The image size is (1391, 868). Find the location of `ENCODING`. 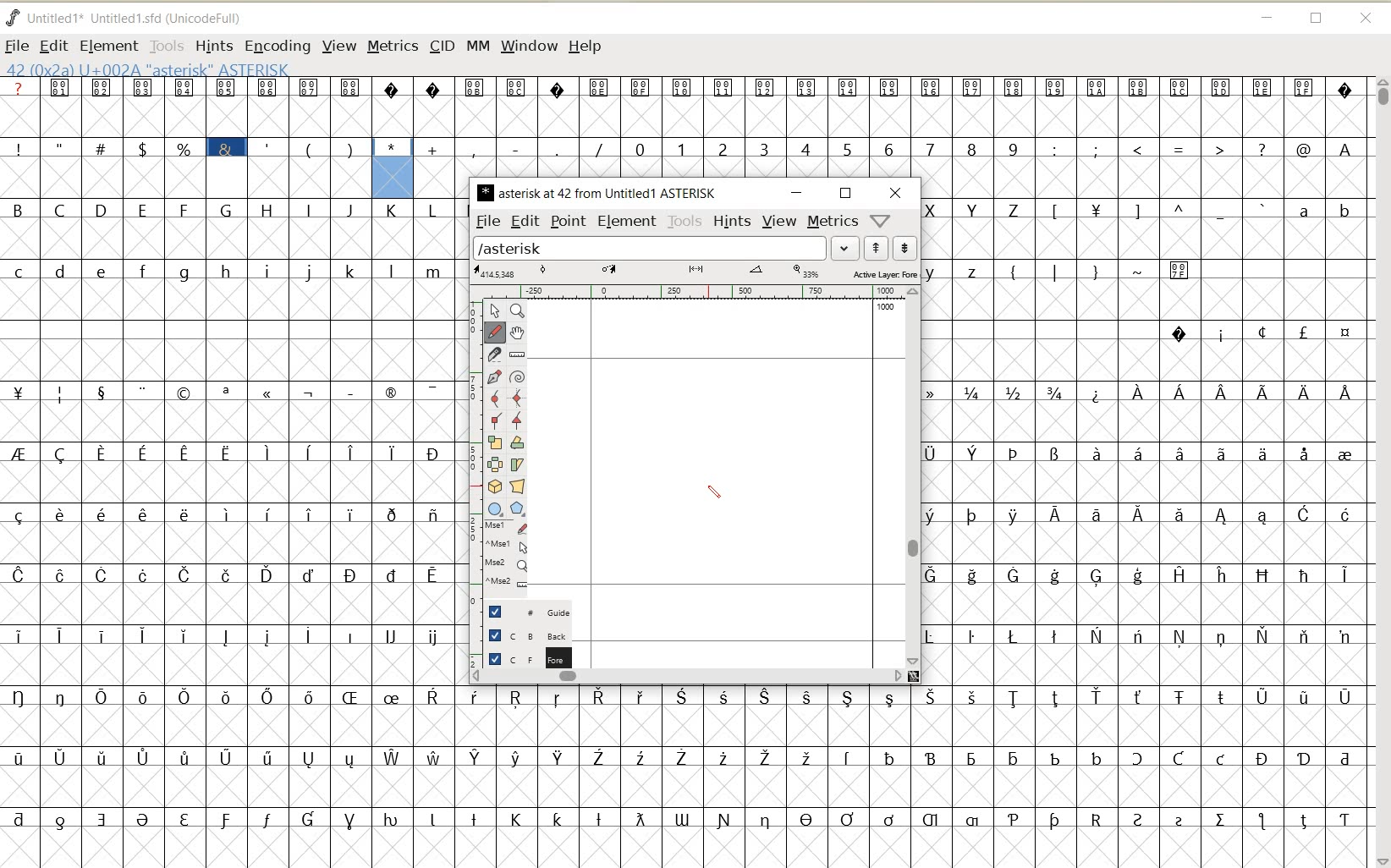

ENCODING is located at coordinates (277, 47).